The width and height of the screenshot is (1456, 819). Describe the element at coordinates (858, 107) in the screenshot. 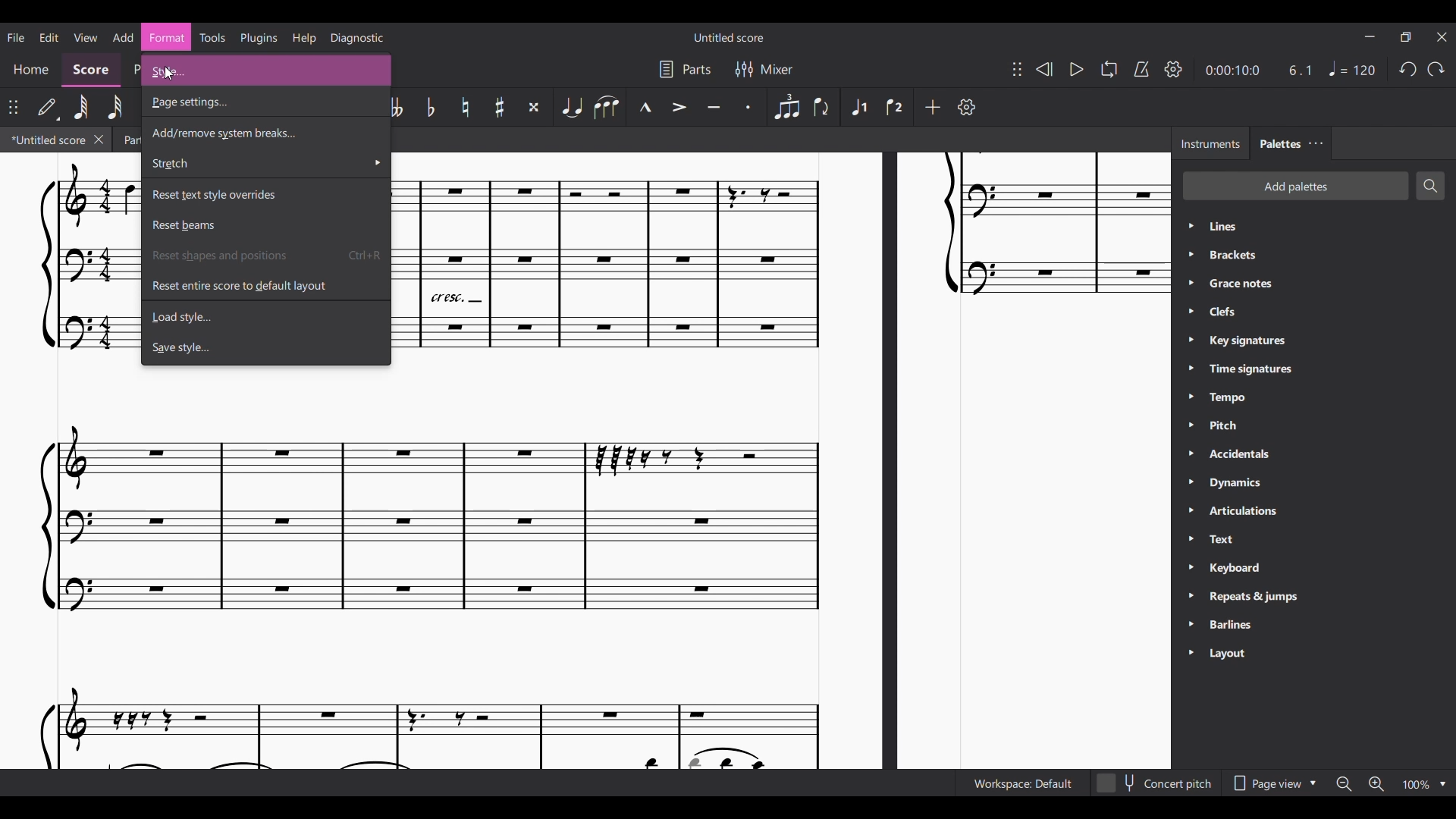

I see `Voice 1` at that location.